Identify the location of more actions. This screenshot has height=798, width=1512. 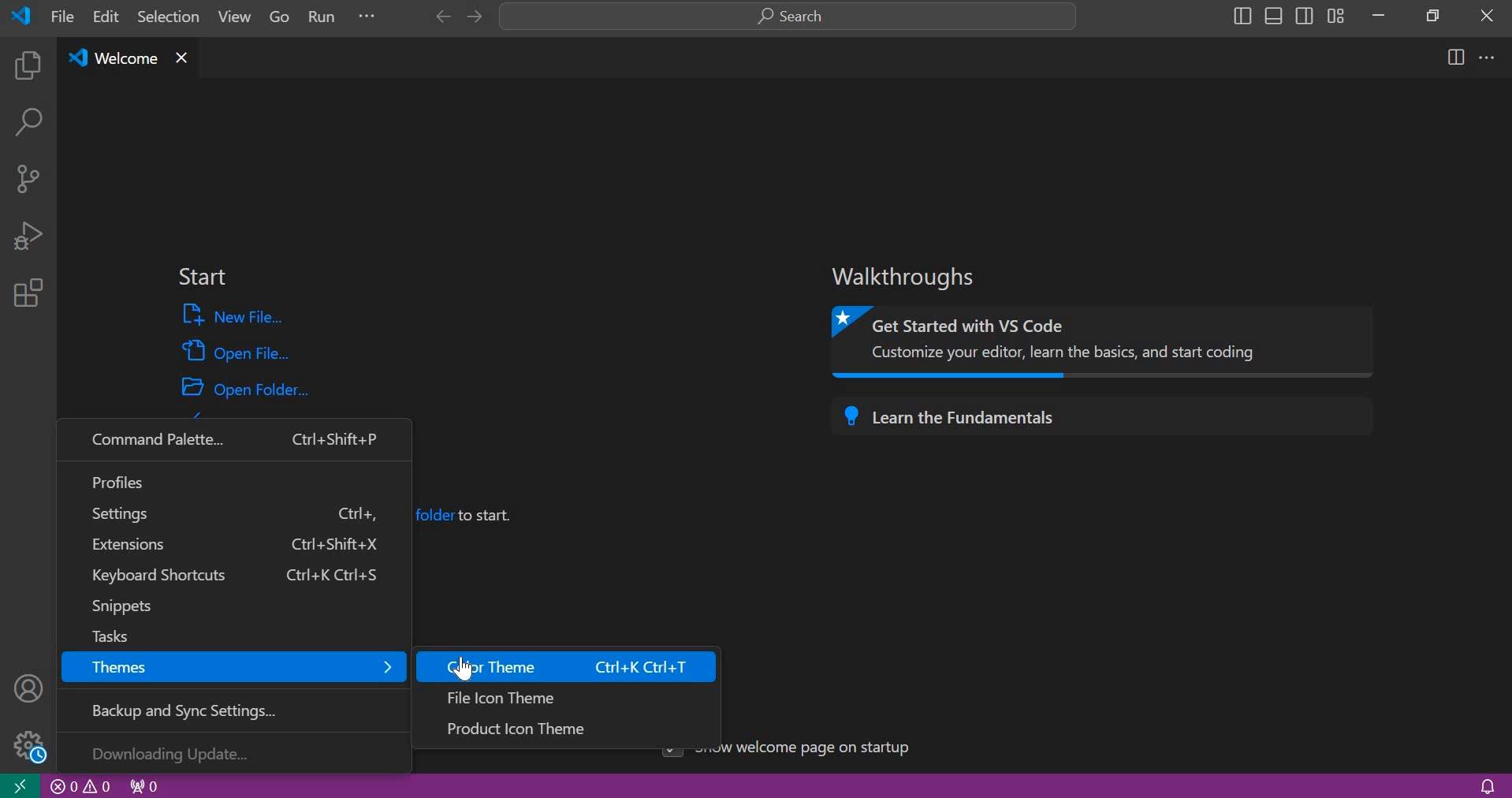
(1488, 56).